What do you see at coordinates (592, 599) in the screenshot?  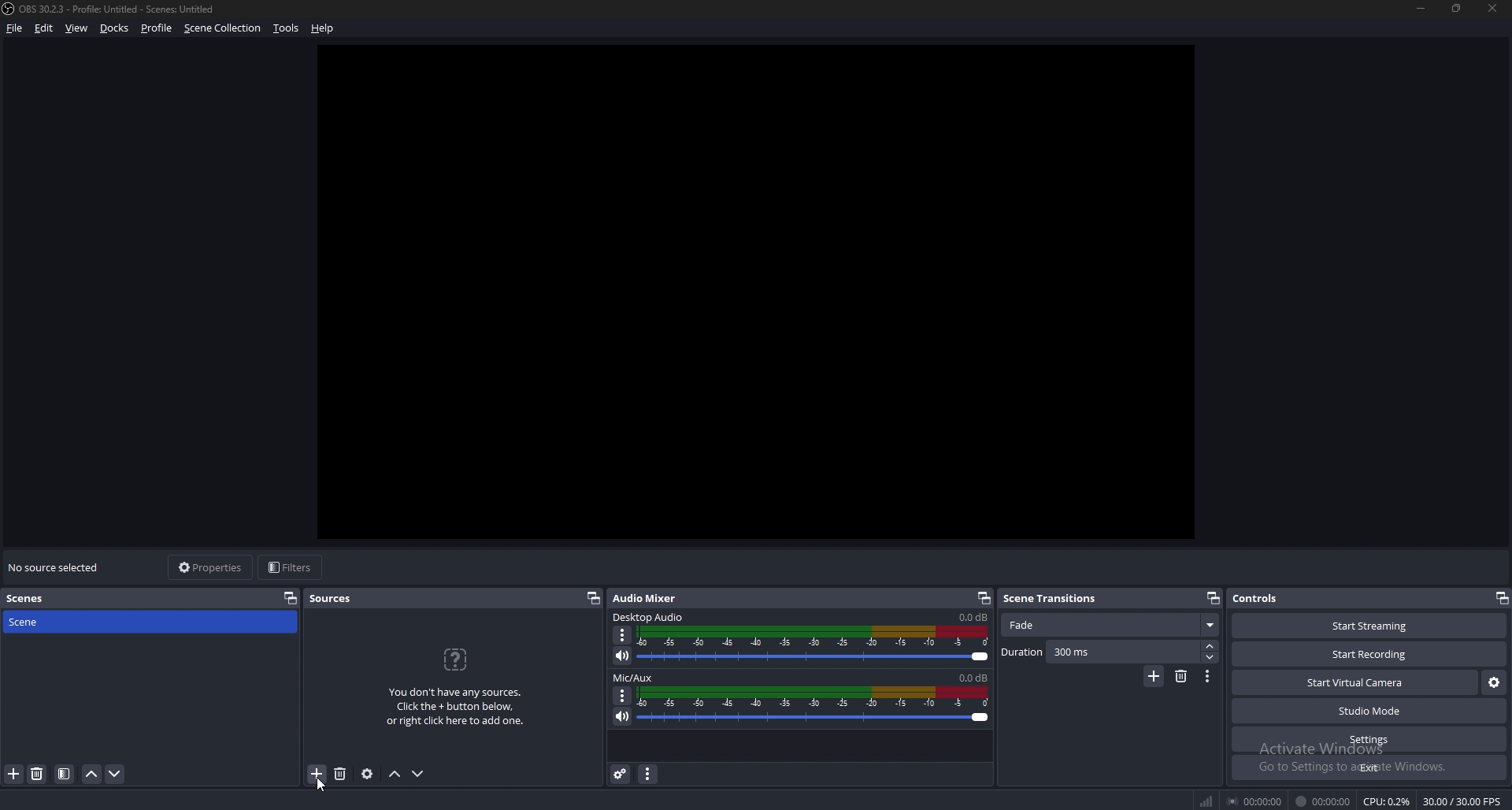 I see `Pop out` at bounding box center [592, 599].